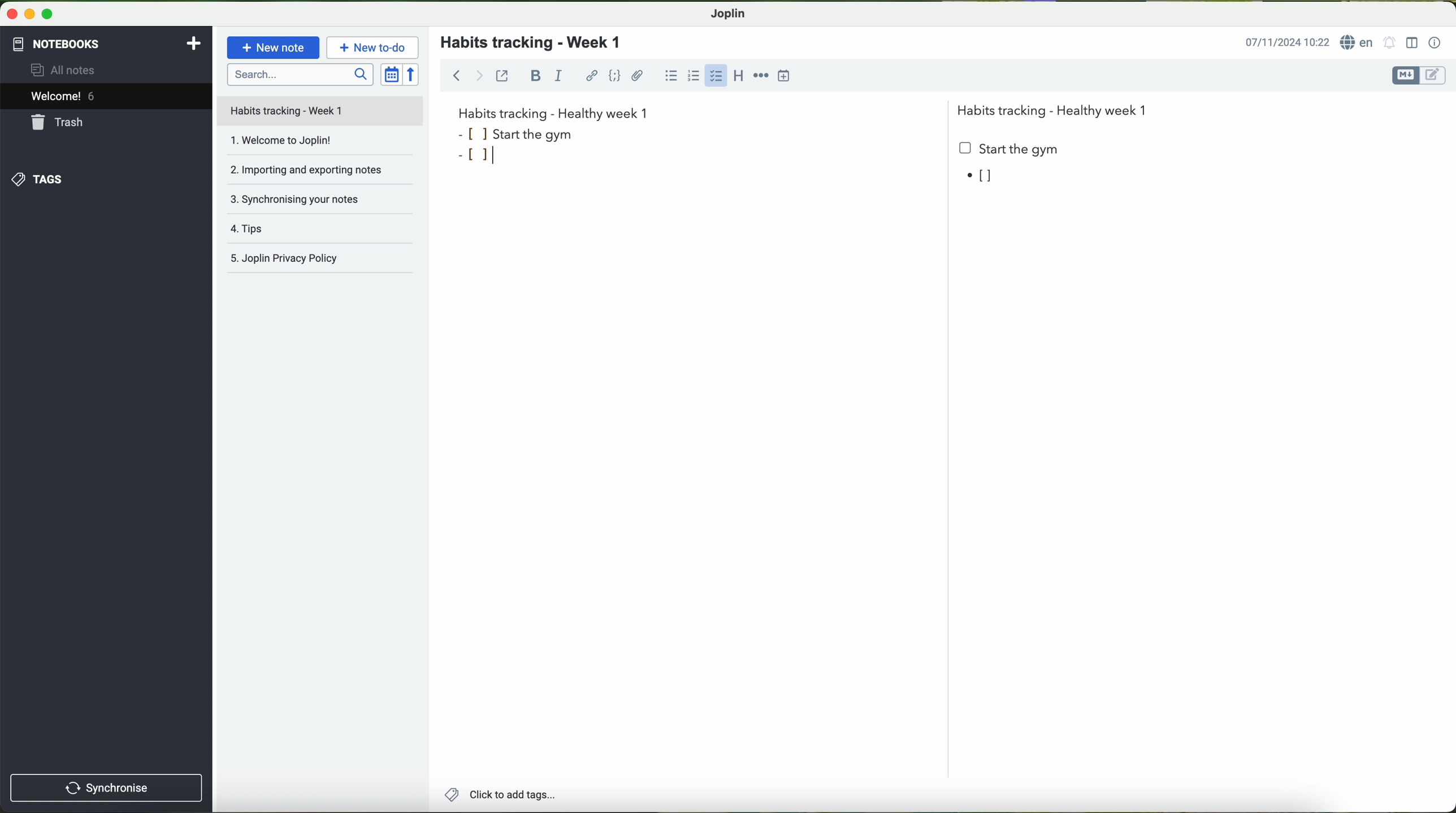  Describe the element at coordinates (761, 76) in the screenshot. I see `horizontal rule` at that location.